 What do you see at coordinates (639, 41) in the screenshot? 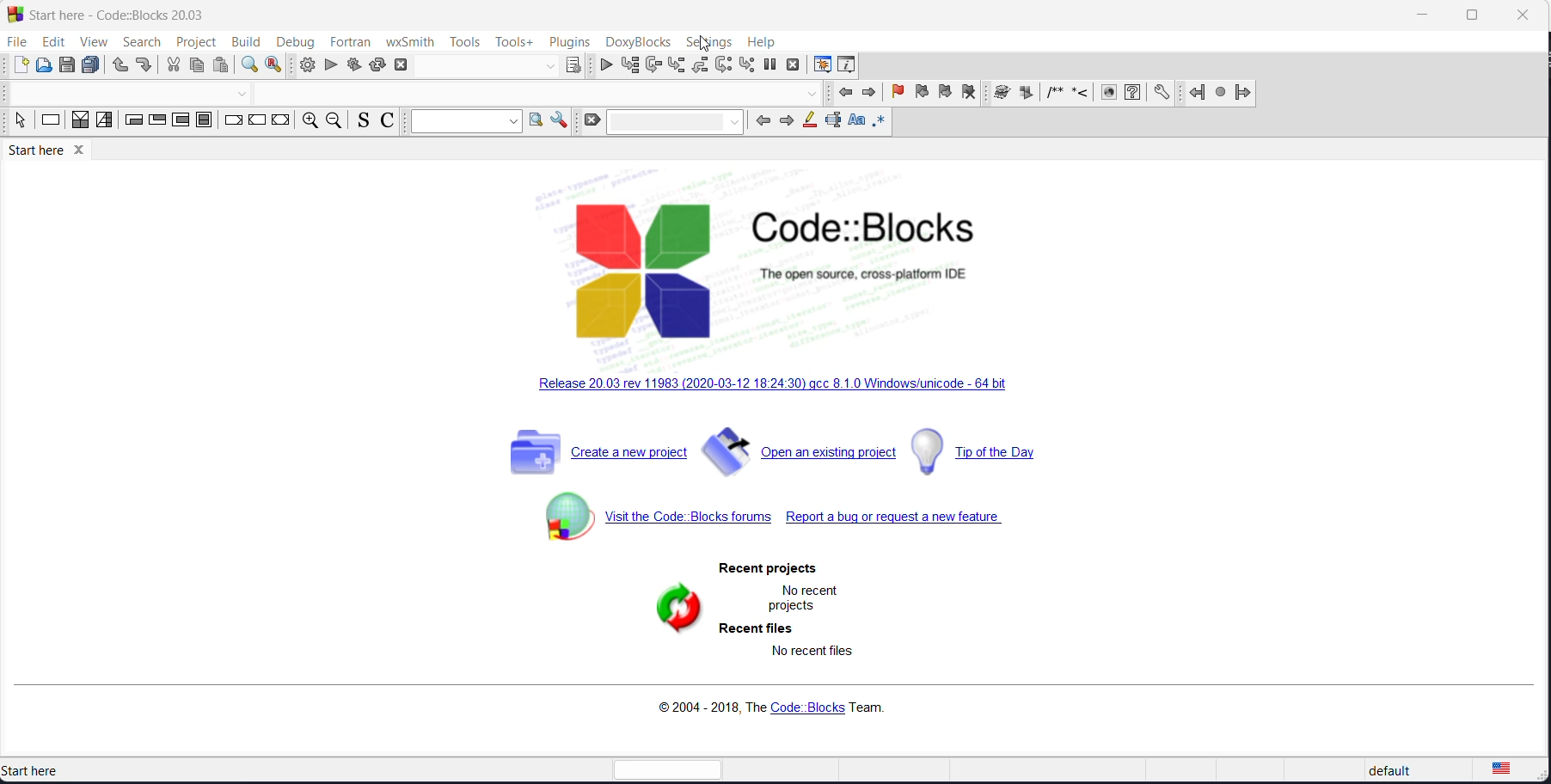
I see `DoxyBlocks` at bounding box center [639, 41].